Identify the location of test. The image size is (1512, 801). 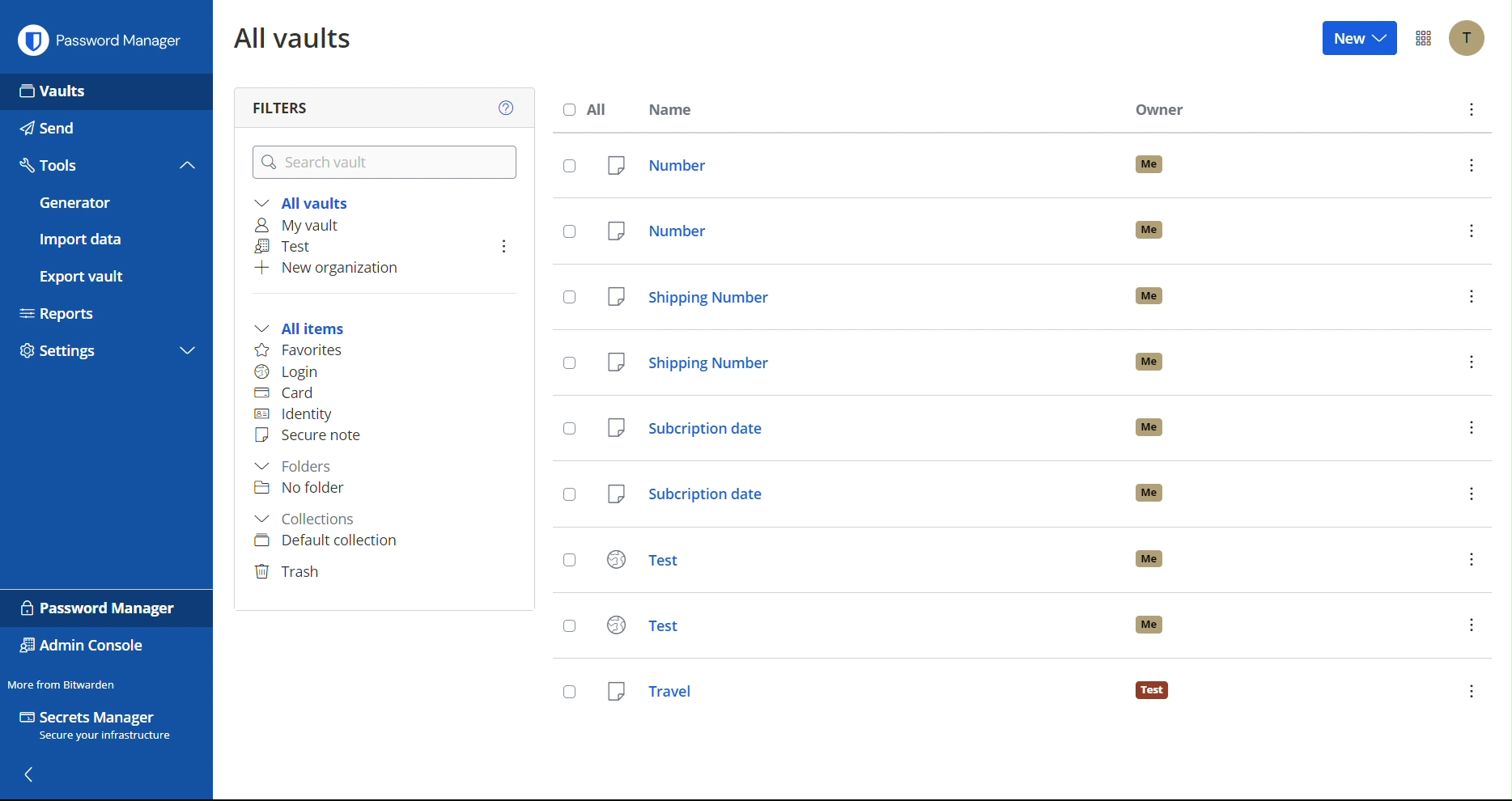
(849, 559).